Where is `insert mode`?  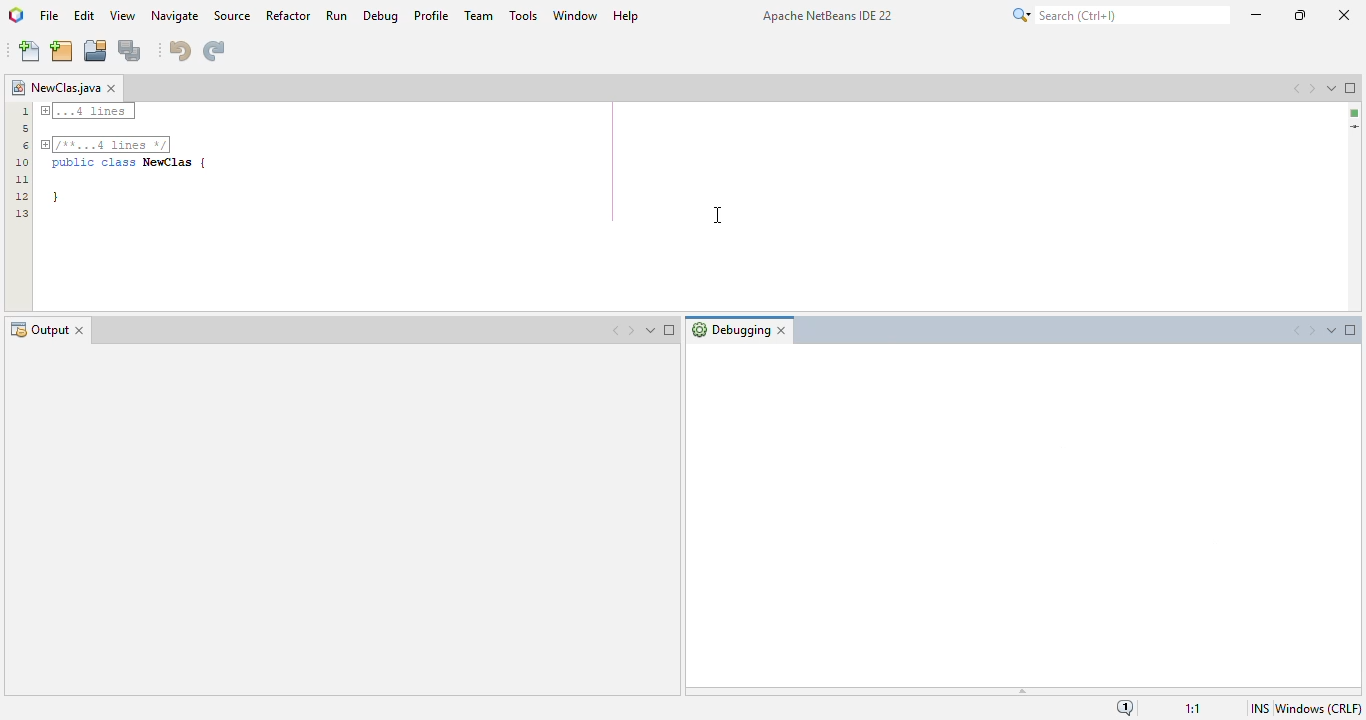
insert mode is located at coordinates (1259, 708).